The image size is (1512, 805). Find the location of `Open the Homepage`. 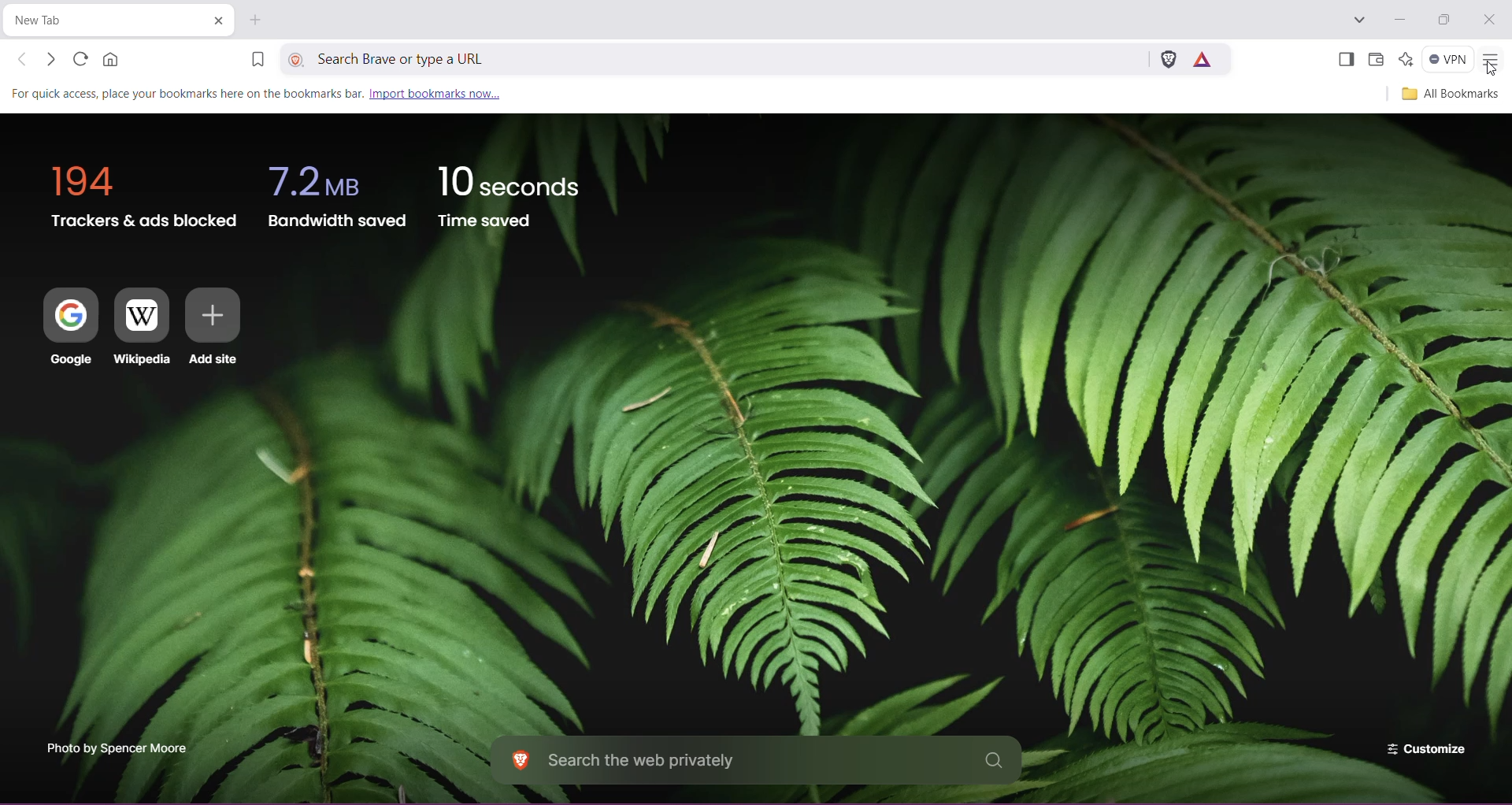

Open the Homepage is located at coordinates (113, 59).